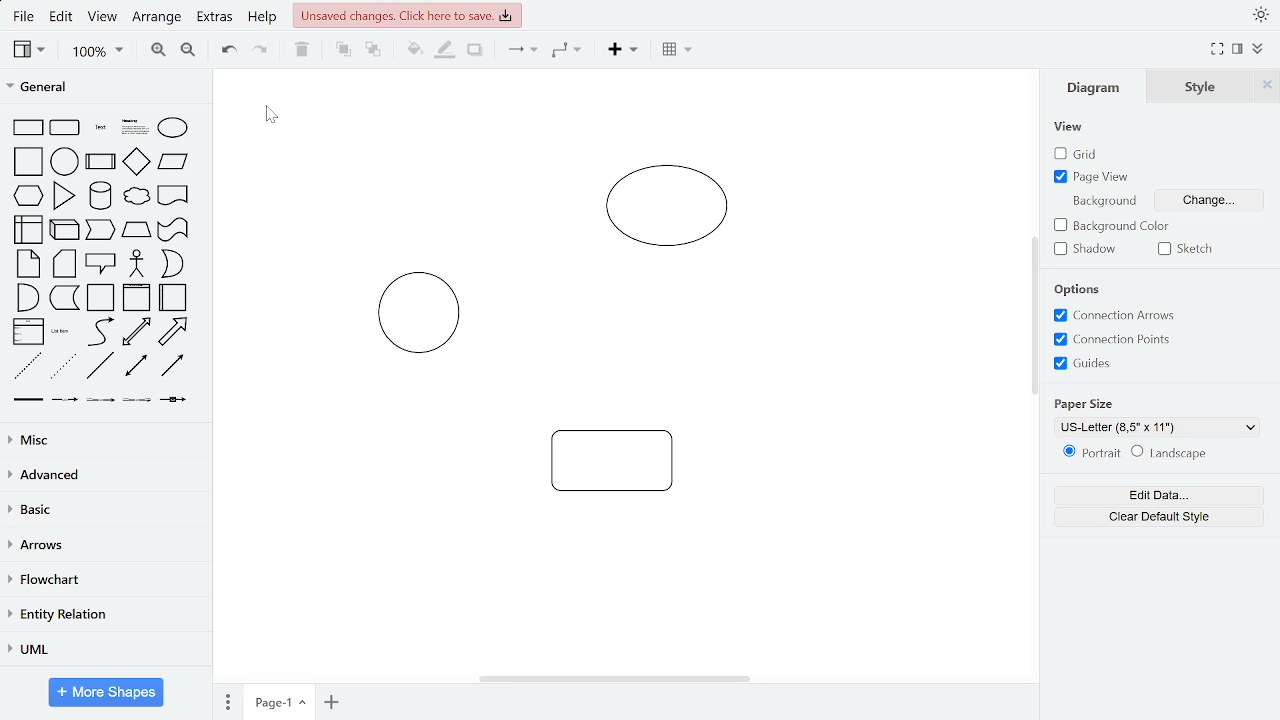  I want to click on to front, so click(342, 50).